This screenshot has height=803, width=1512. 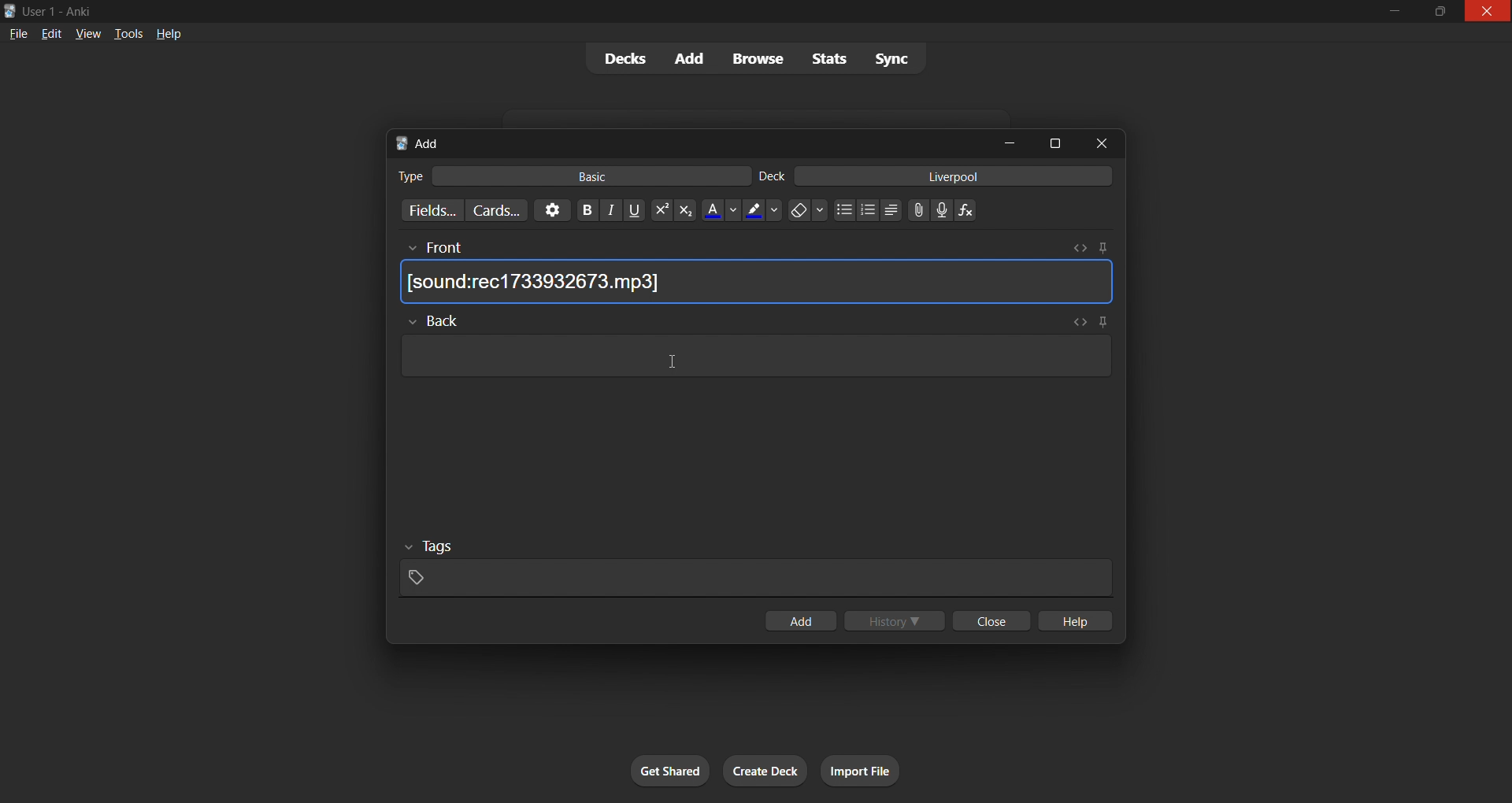 I want to click on sync, so click(x=894, y=59).